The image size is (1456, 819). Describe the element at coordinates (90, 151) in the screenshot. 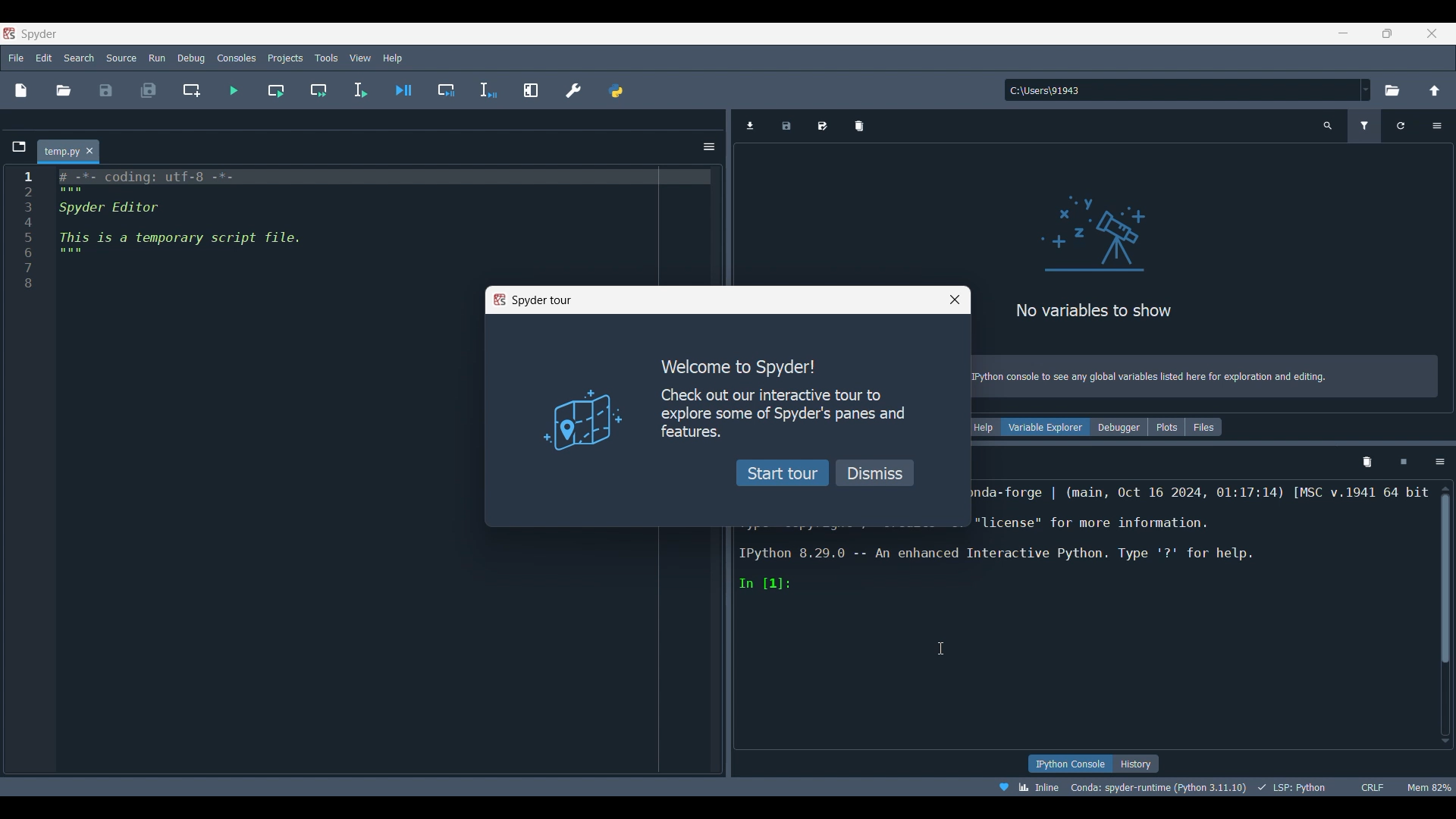

I see `Close tab` at that location.